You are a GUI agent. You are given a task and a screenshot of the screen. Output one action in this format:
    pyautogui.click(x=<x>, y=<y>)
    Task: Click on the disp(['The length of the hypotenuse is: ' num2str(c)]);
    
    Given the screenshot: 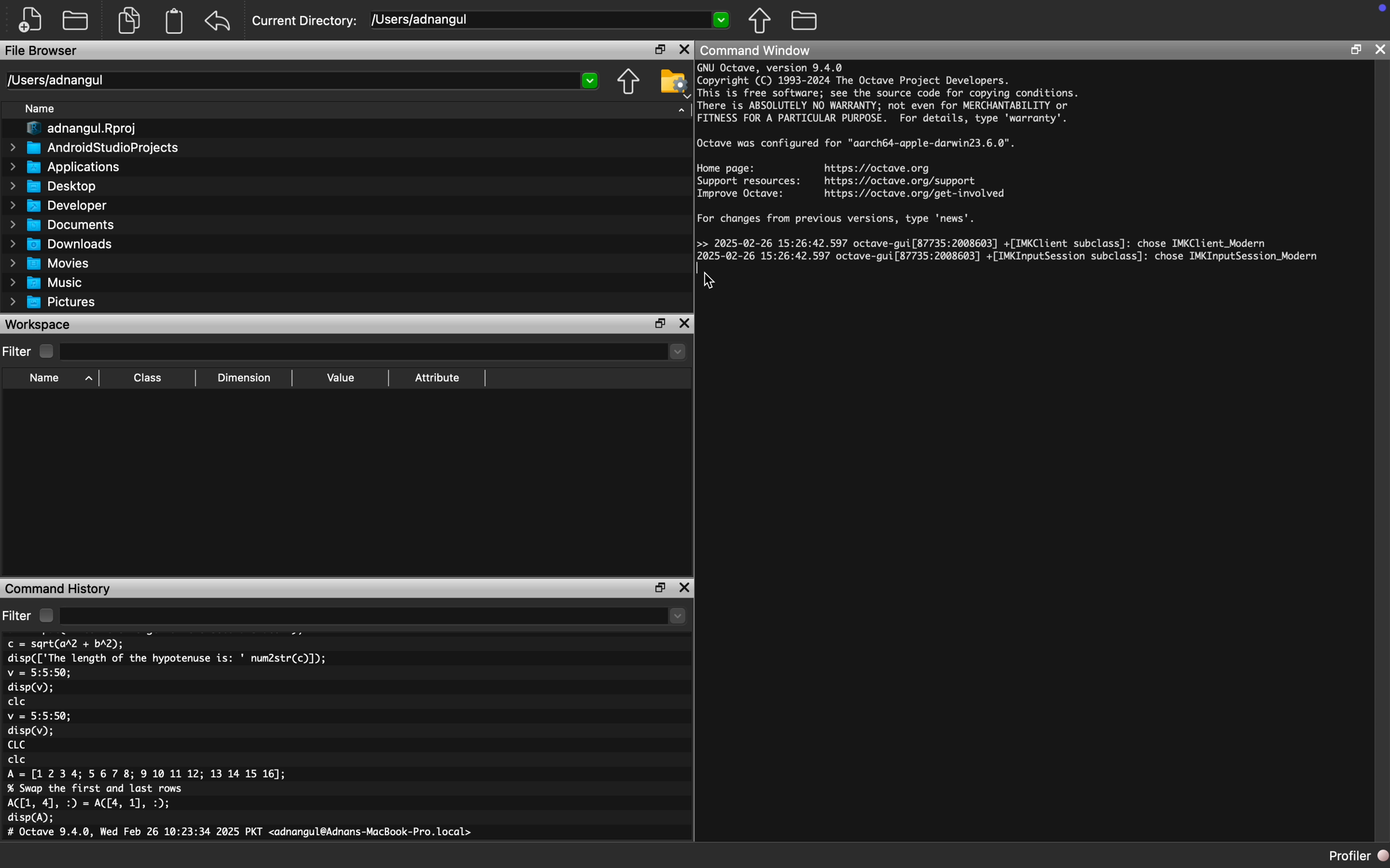 What is the action you would take?
    pyautogui.click(x=168, y=658)
    